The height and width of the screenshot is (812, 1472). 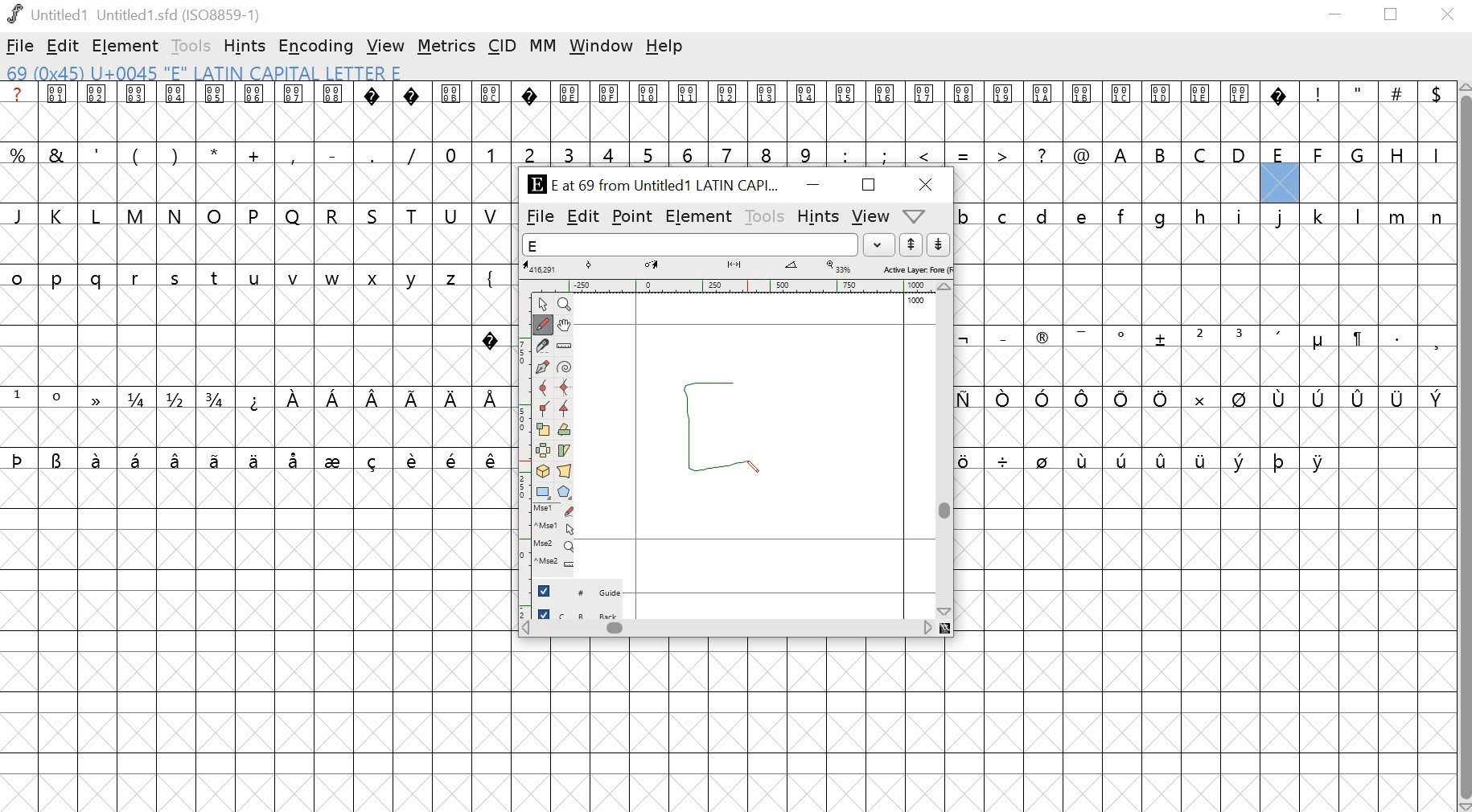 I want to click on Tangent, so click(x=563, y=409).